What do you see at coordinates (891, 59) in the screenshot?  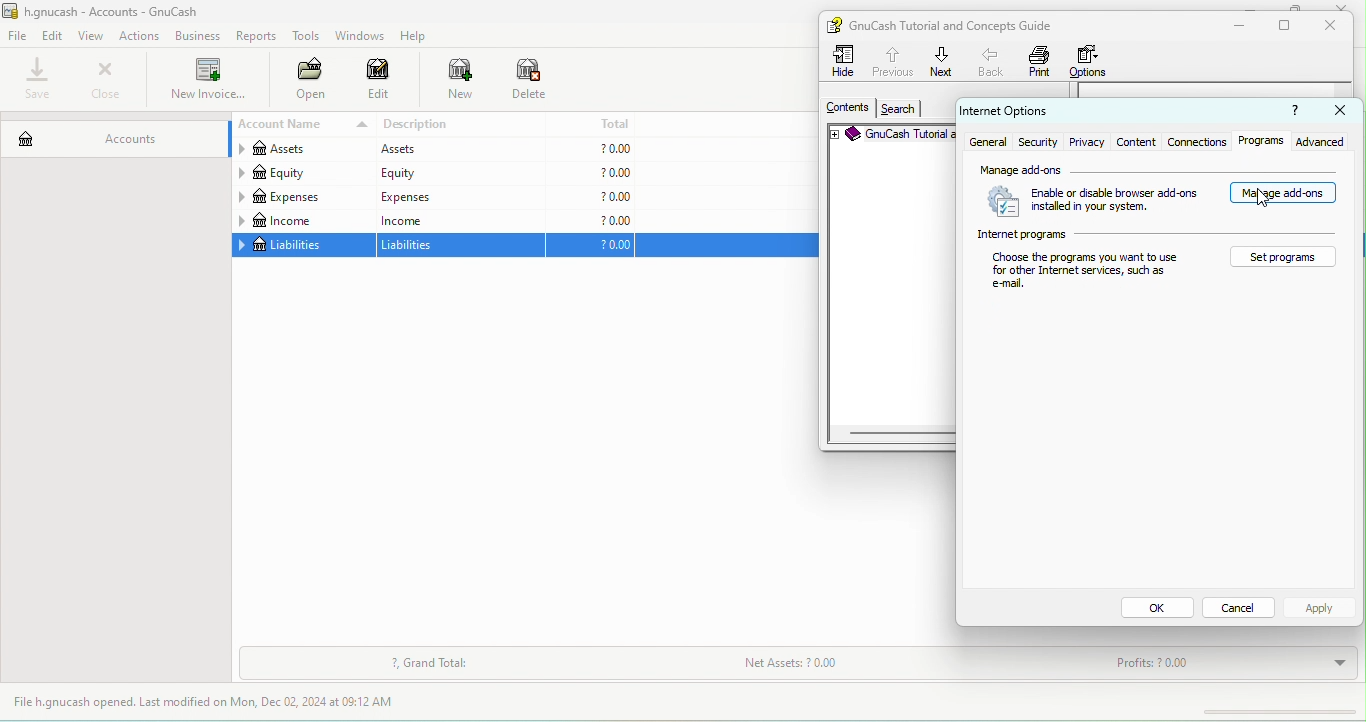 I see `previous` at bounding box center [891, 59].